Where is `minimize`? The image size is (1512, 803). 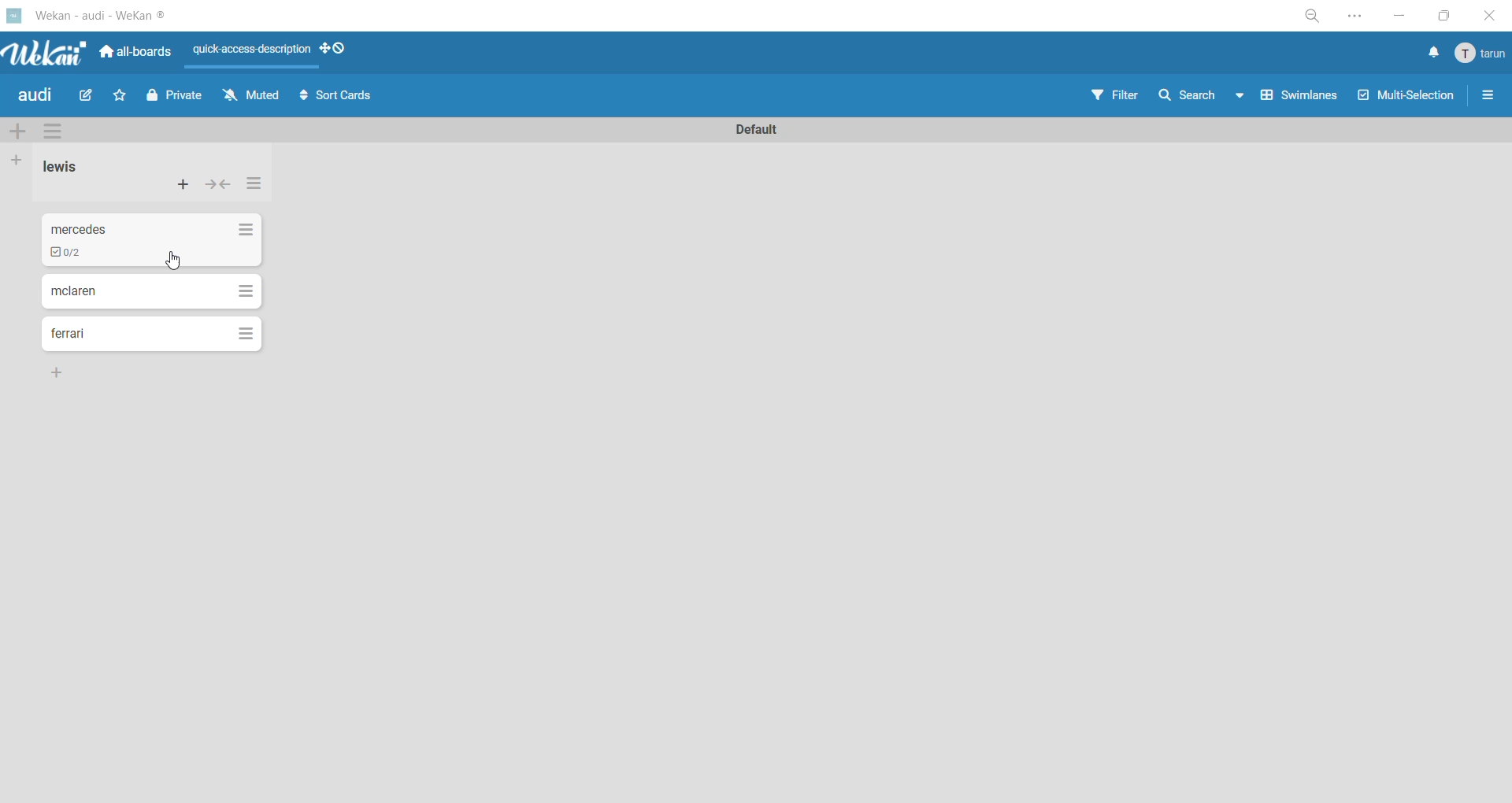
minimize is located at coordinates (1404, 14).